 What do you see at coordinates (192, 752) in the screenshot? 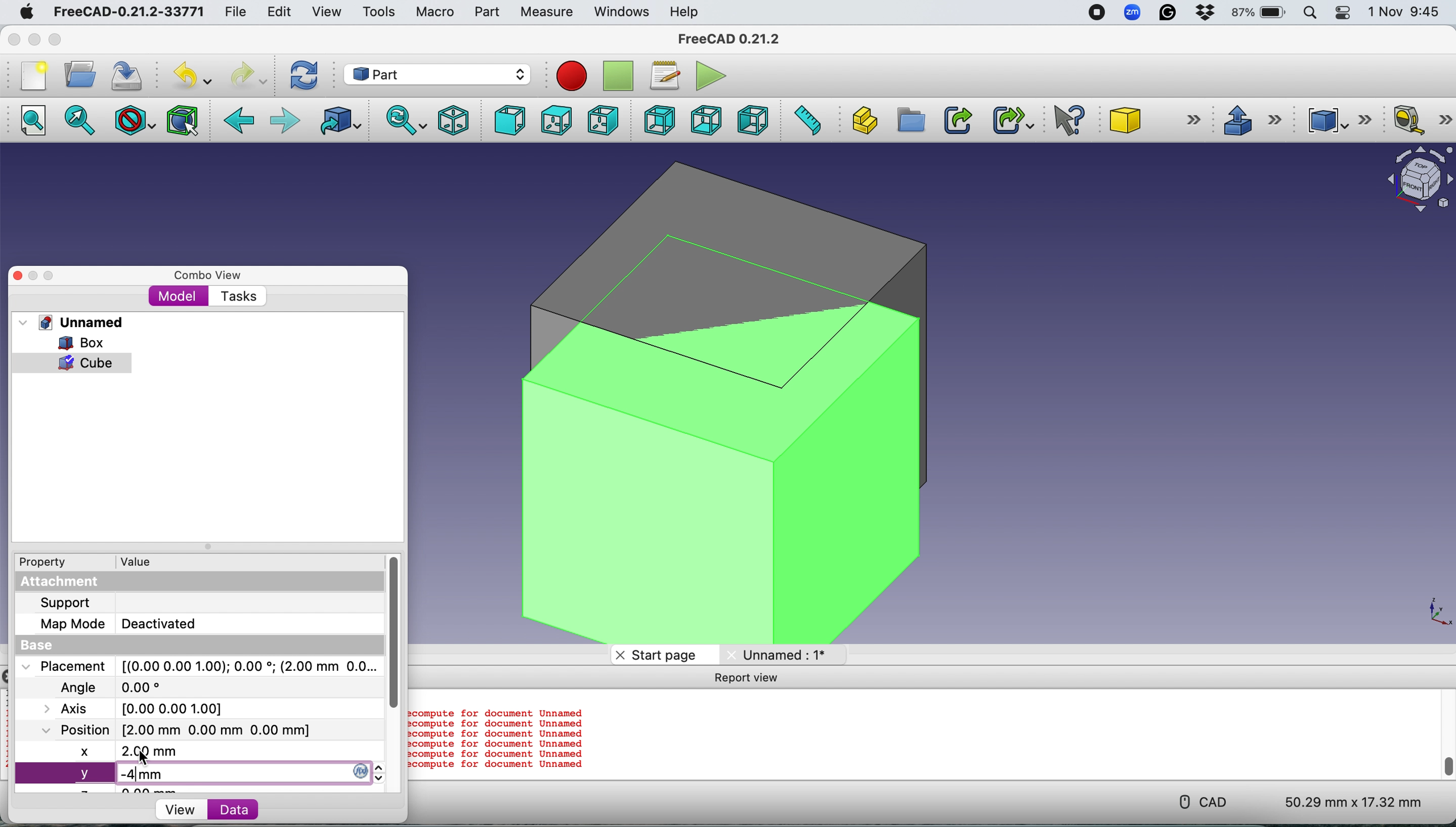
I see `x 2.00 mm` at bounding box center [192, 752].